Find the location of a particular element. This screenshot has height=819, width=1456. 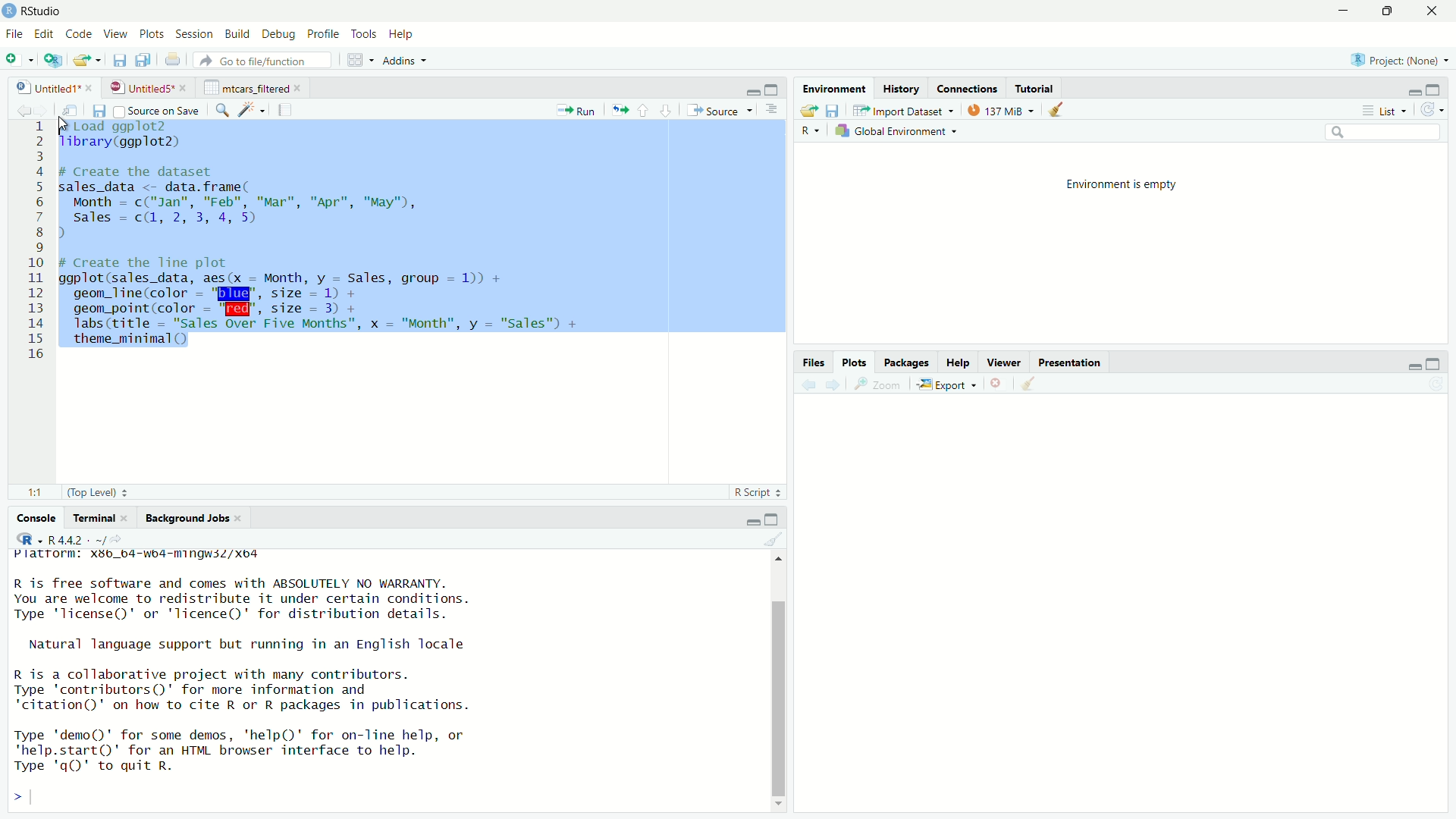

Environment is located at coordinates (836, 88).